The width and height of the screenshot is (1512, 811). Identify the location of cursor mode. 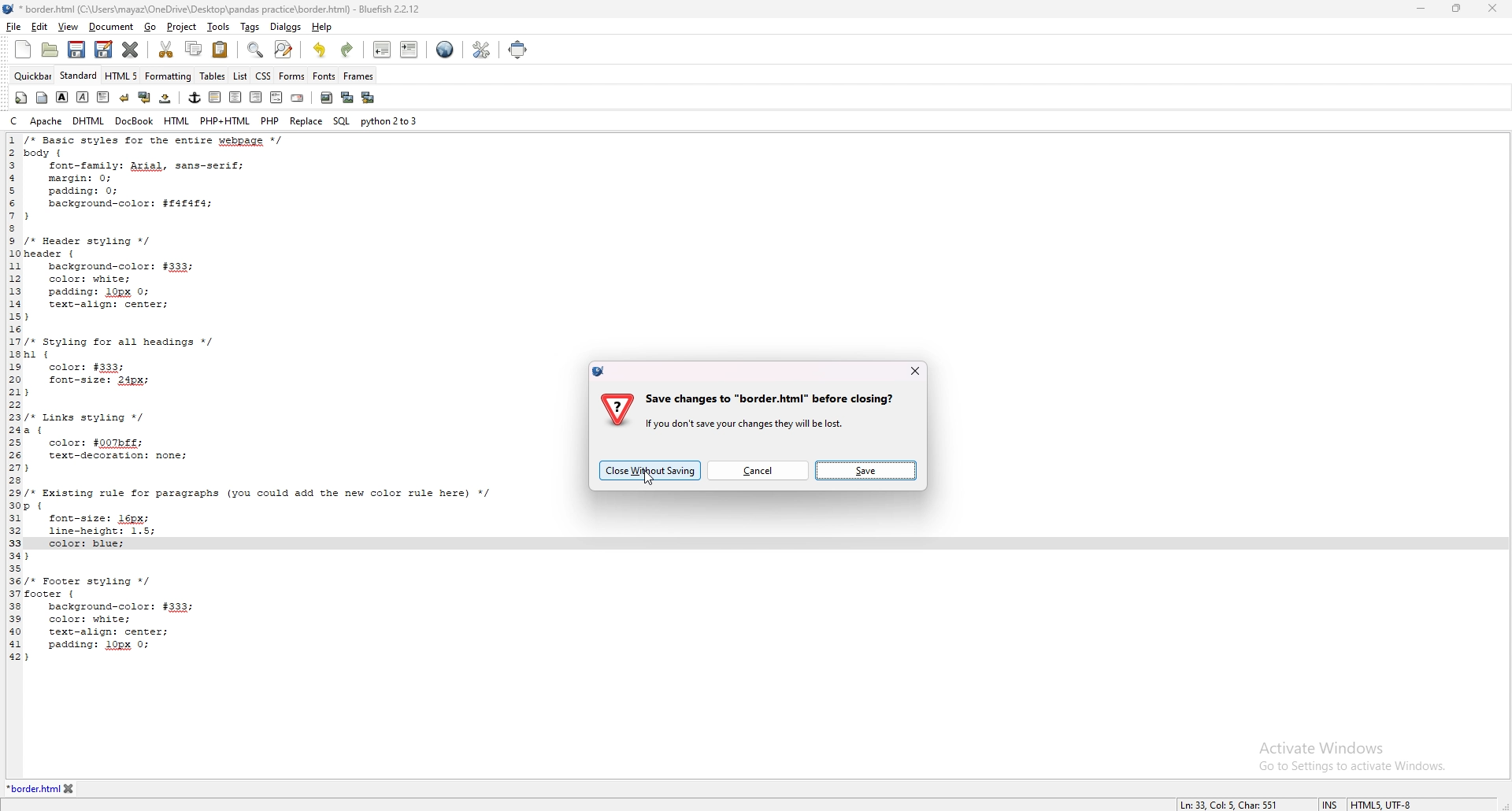
(1332, 802).